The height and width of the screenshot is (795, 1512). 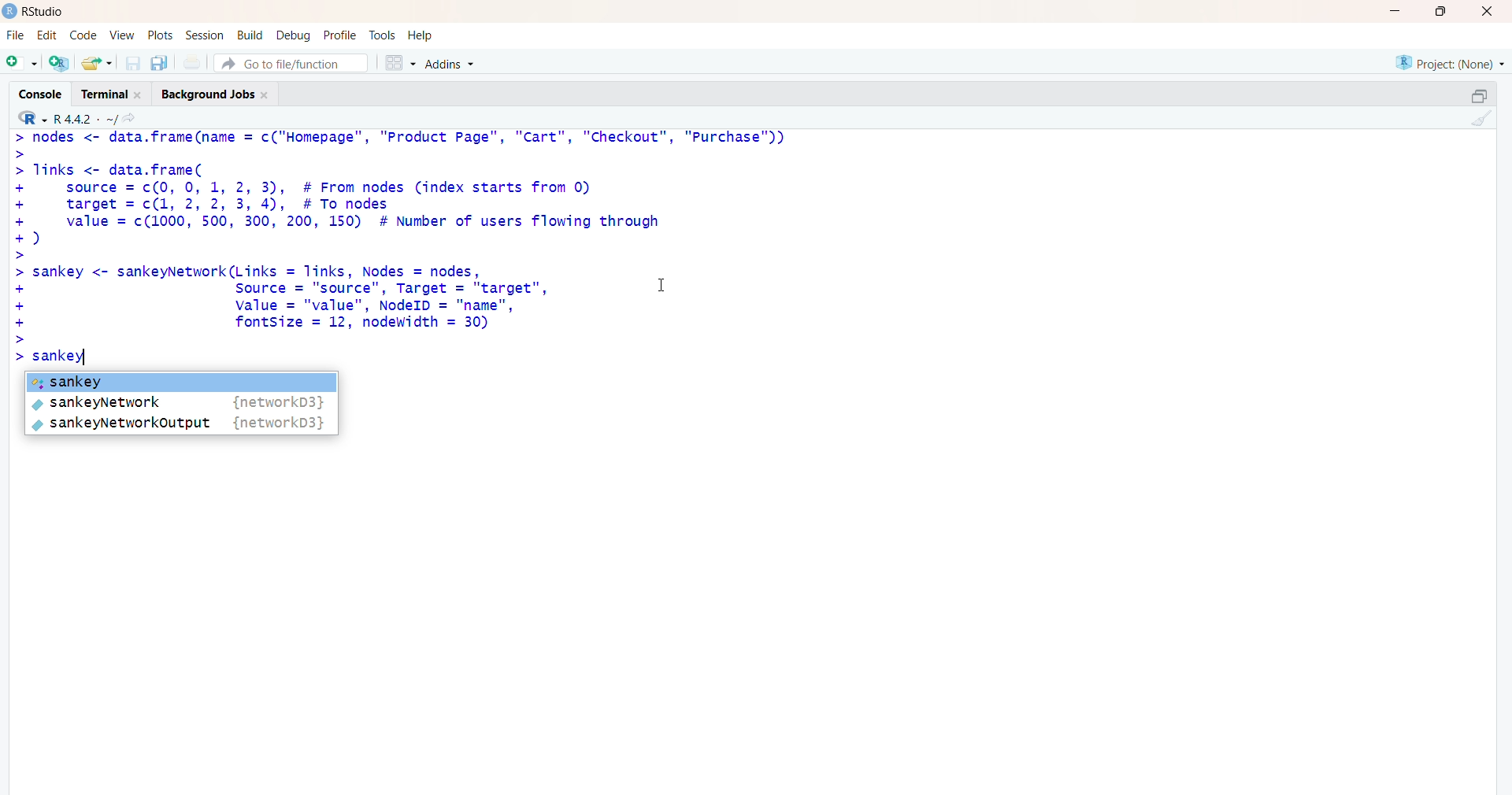 I want to click on session, so click(x=202, y=36).